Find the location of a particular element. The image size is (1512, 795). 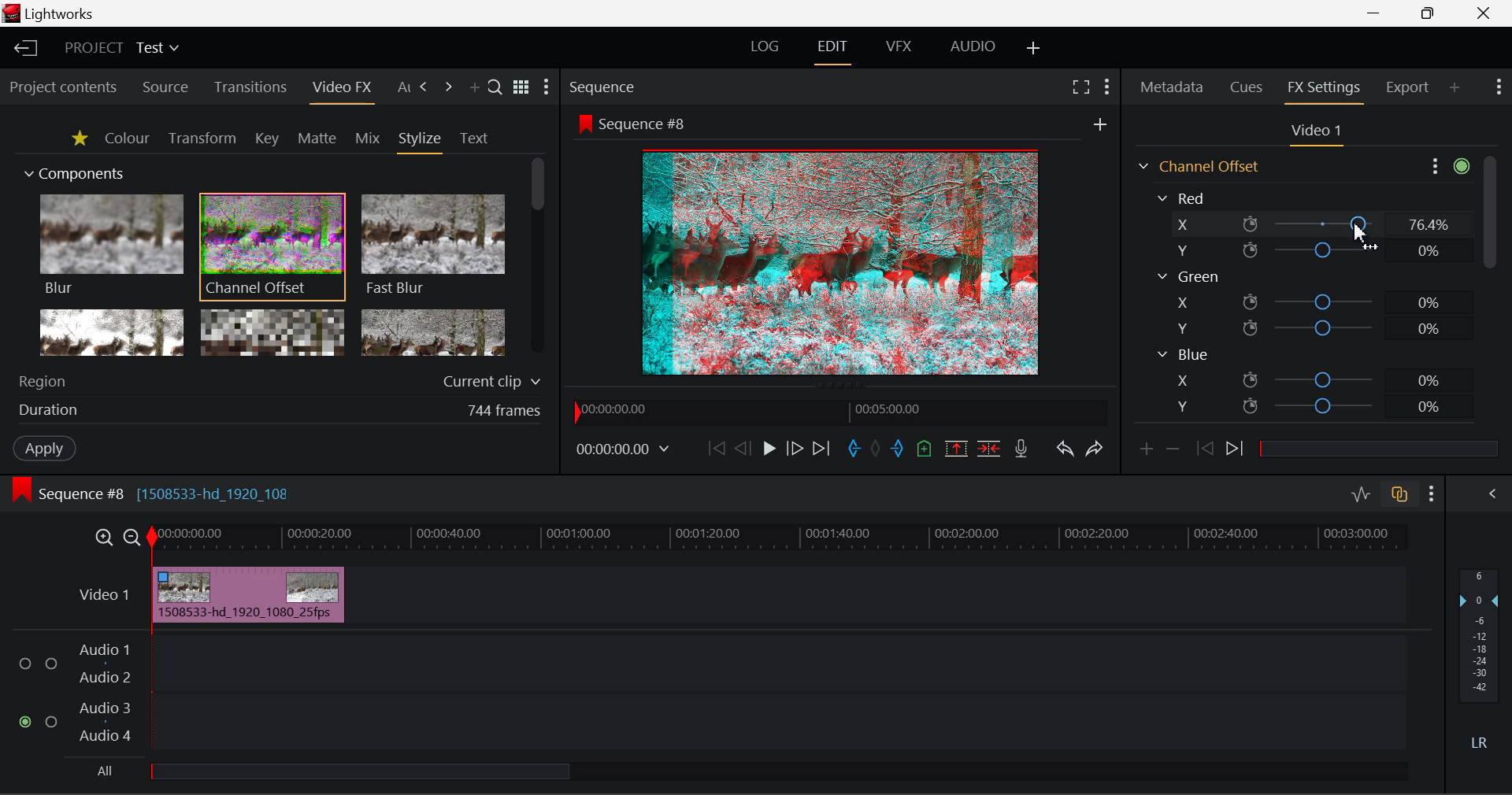

Posterize is located at coordinates (433, 331).